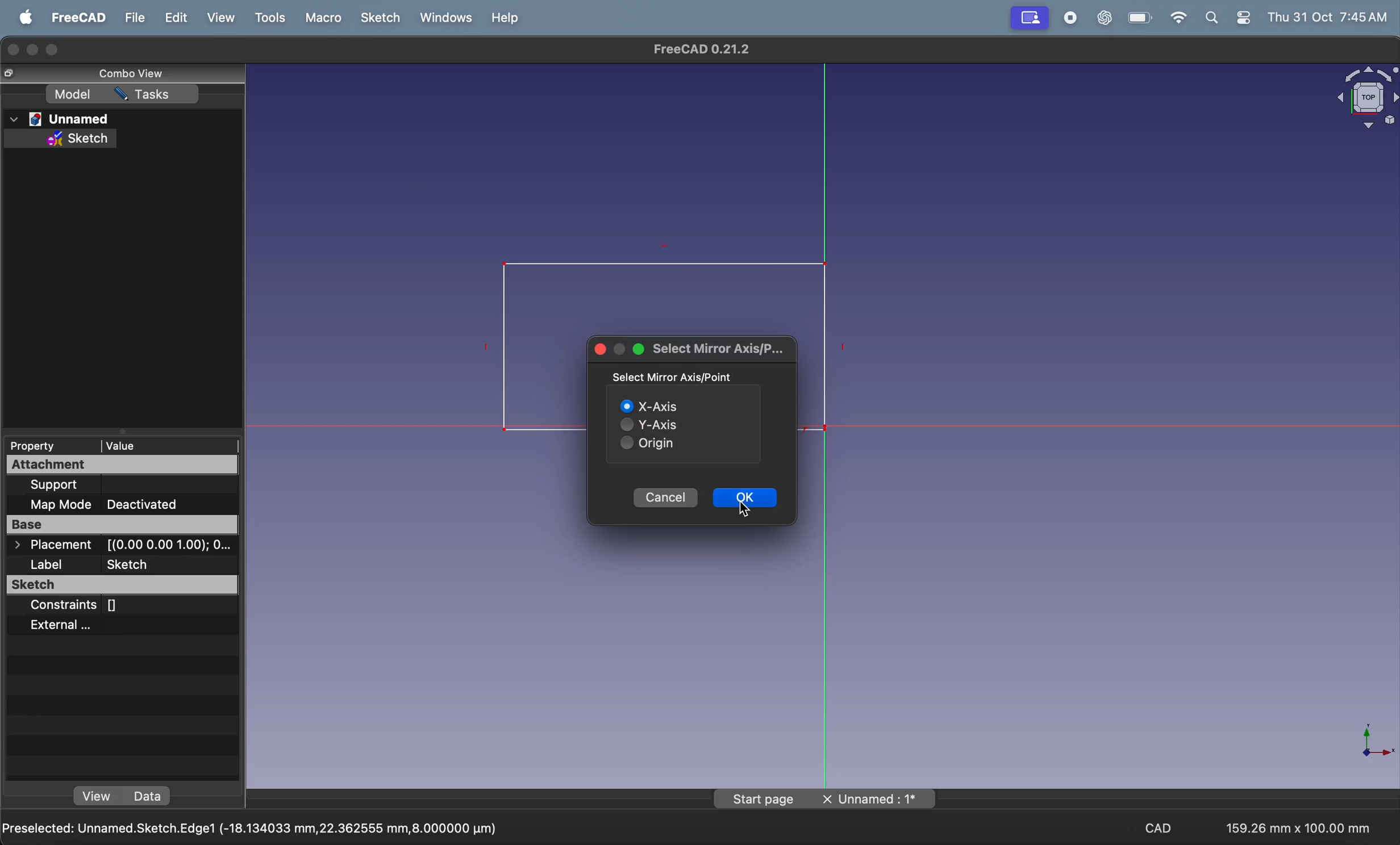 The width and height of the screenshot is (1400, 845). What do you see at coordinates (131, 73) in the screenshot?
I see `combo view` at bounding box center [131, 73].